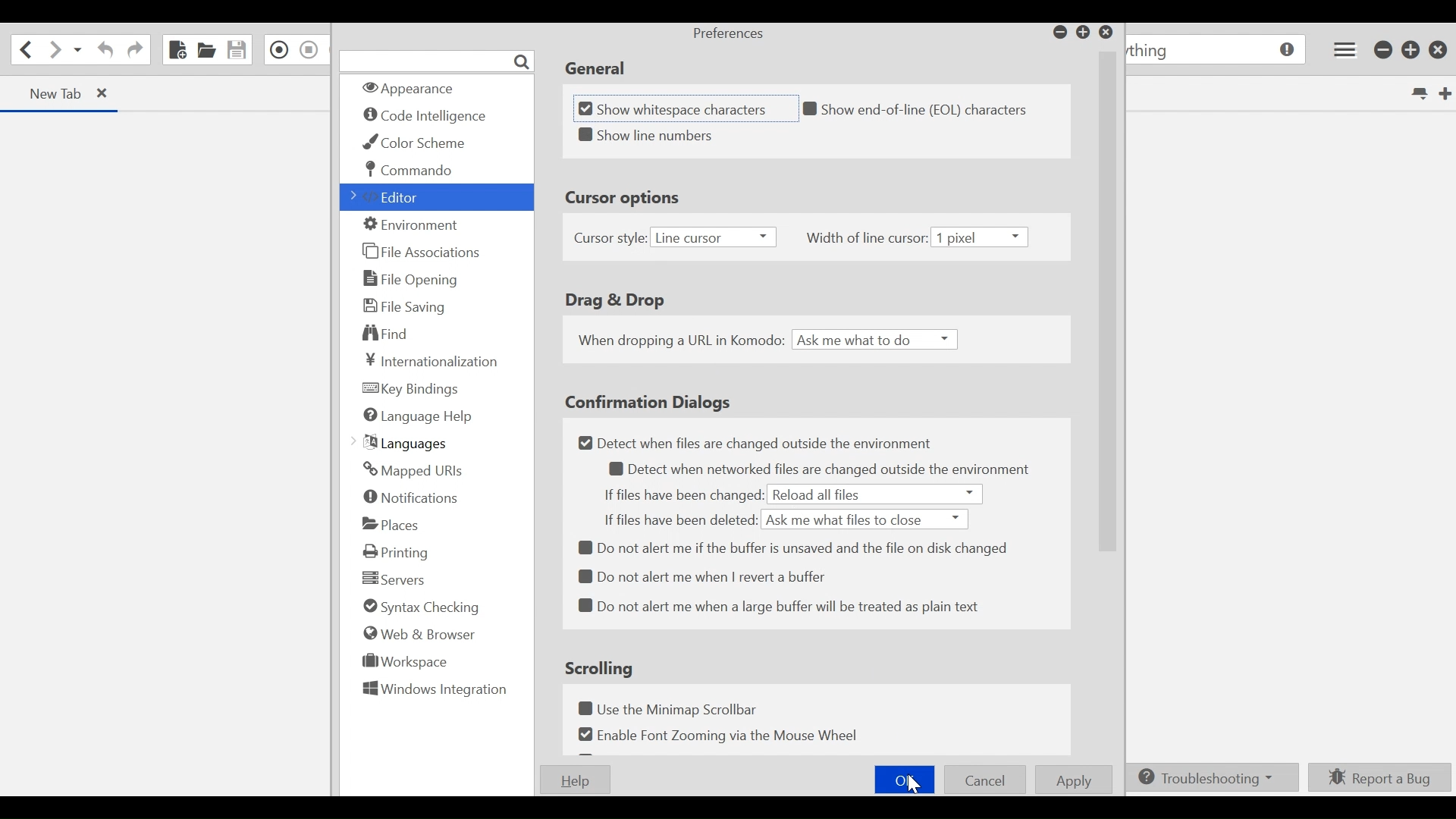 This screenshot has height=819, width=1456. I want to click on Save File, so click(236, 50).